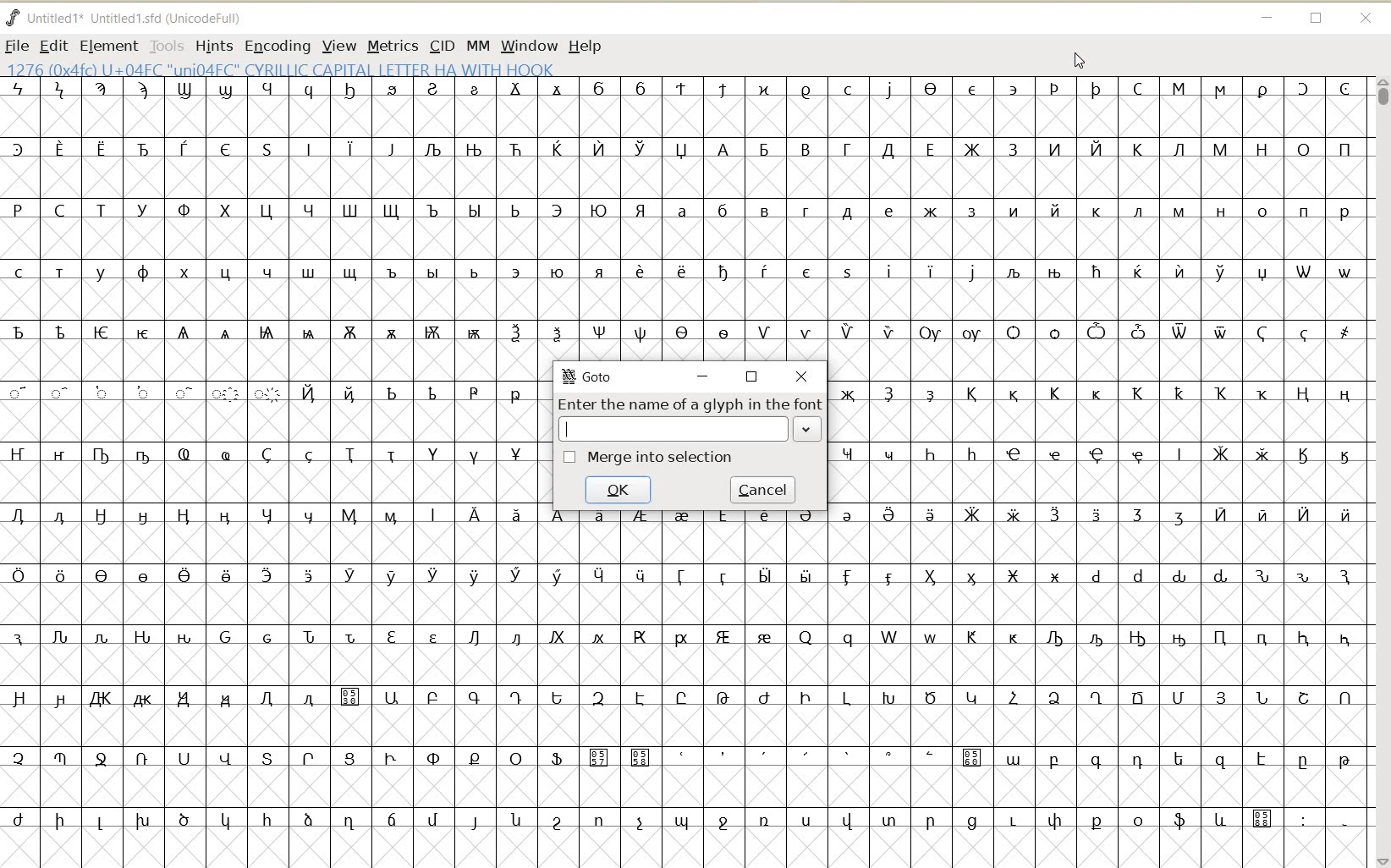 The height and width of the screenshot is (868, 1391). Describe the element at coordinates (127, 18) in the screenshot. I see `FONT NAME` at that location.